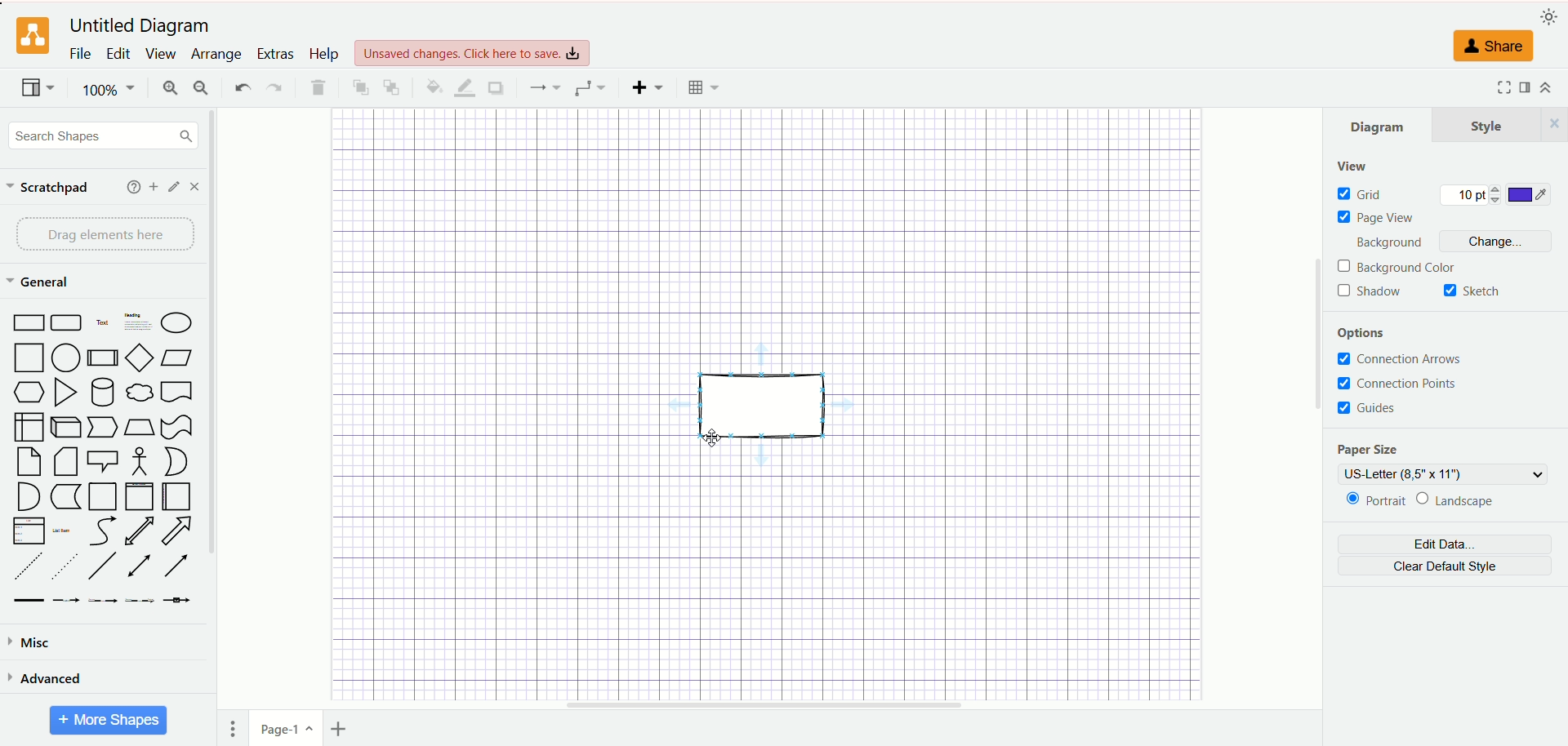 The image size is (1568, 746). Describe the element at coordinates (495, 88) in the screenshot. I see `shadow` at that location.